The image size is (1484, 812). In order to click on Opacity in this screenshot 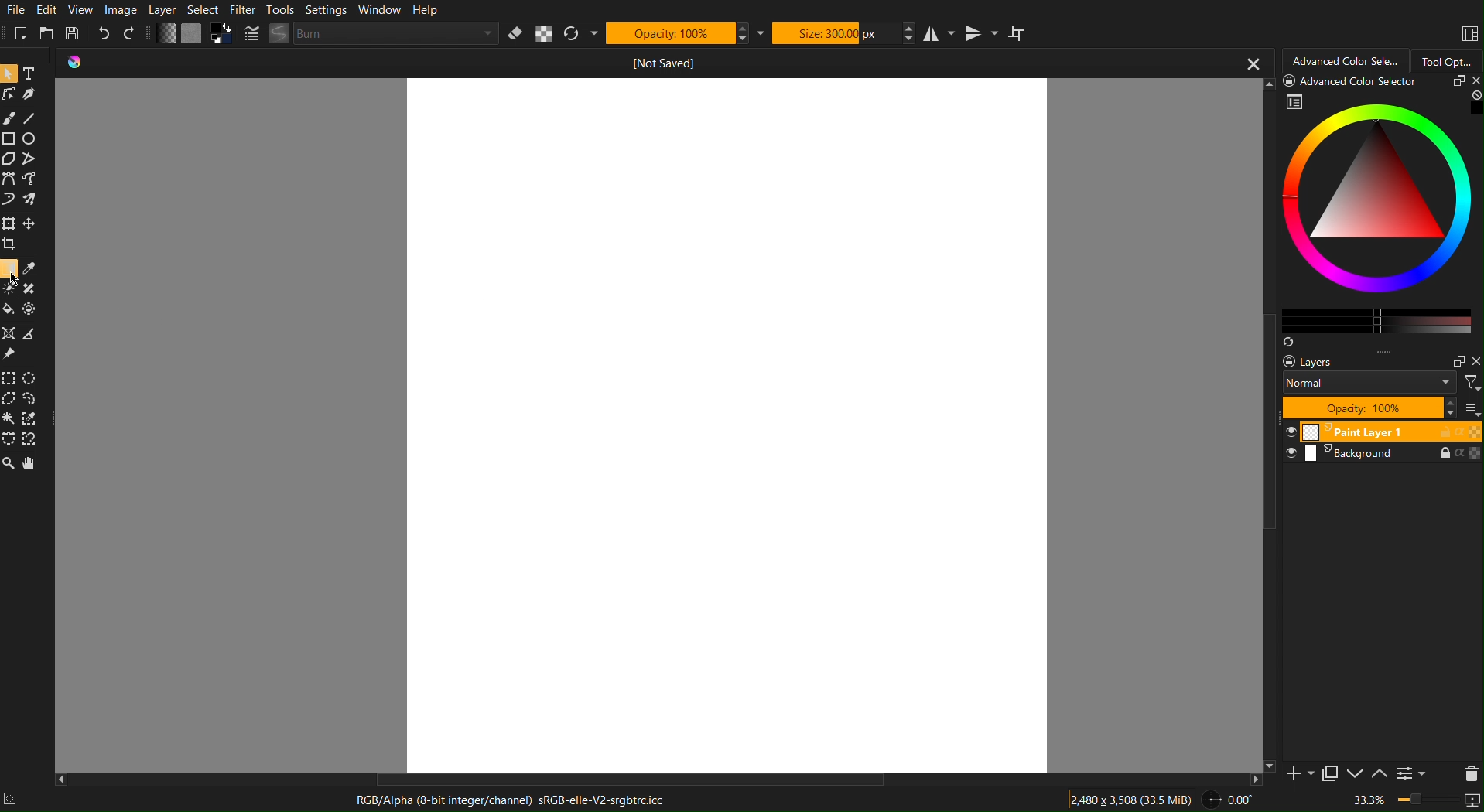, I will do `click(676, 32)`.